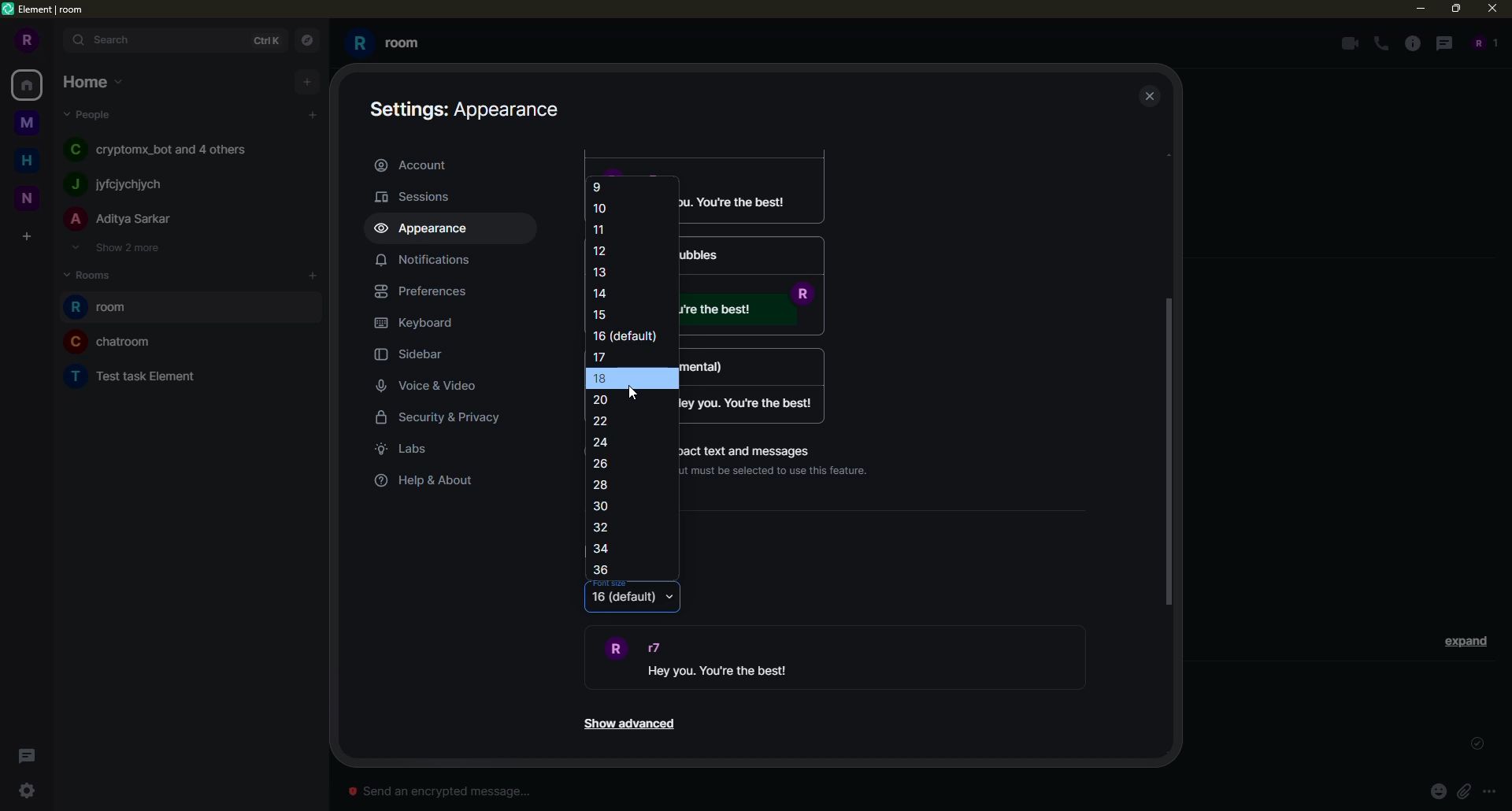 The height and width of the screenshot is (811, 1512). What do you see at coordinates (91, 113) in the screenshot?
I see `people` at bounding box center [91, 113].